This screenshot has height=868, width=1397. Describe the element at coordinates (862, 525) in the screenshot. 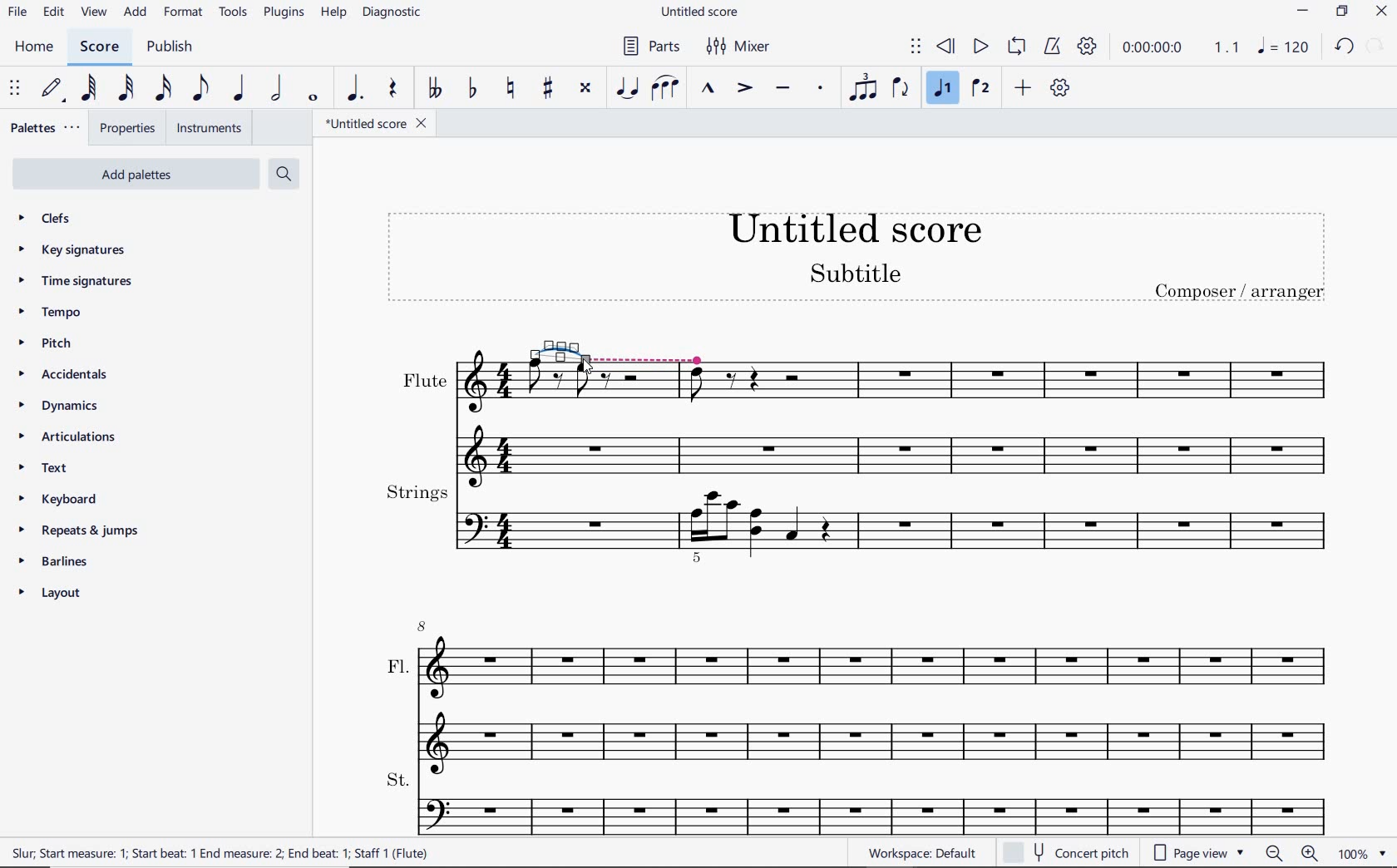

I see `Strings` at that location.